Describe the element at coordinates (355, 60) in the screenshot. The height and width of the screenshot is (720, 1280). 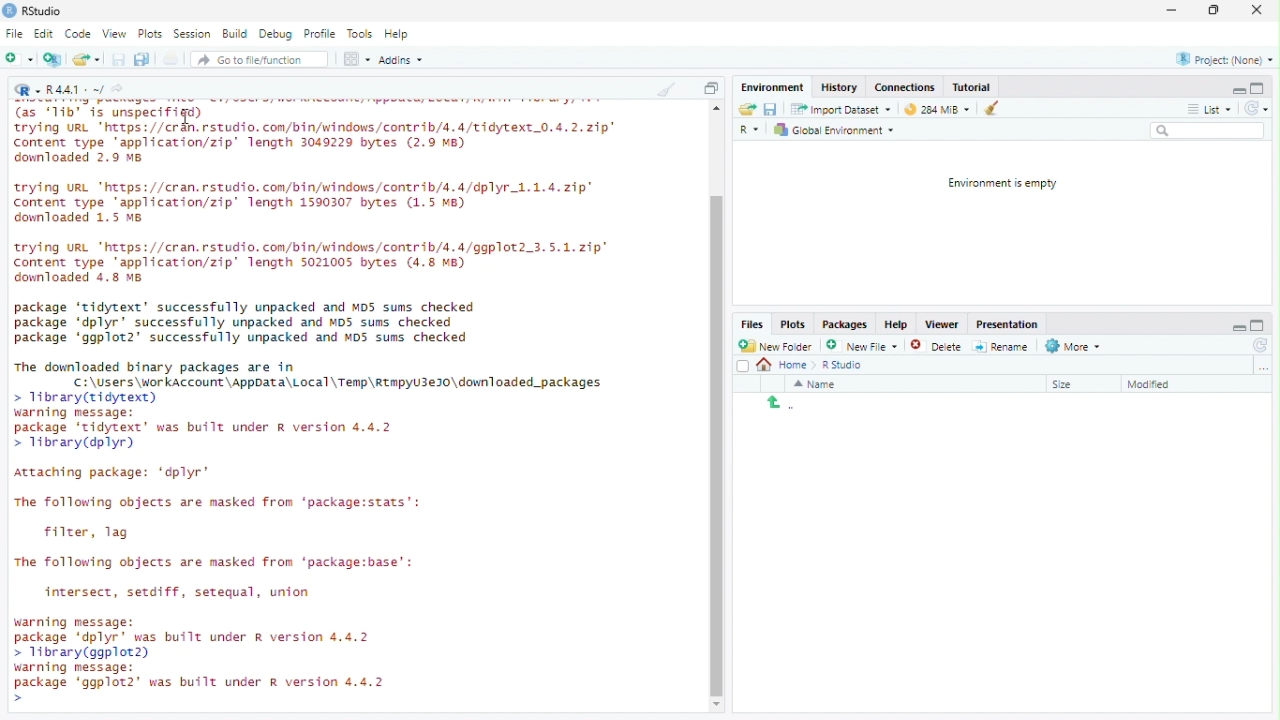
I see `Workspace pane` at that location.